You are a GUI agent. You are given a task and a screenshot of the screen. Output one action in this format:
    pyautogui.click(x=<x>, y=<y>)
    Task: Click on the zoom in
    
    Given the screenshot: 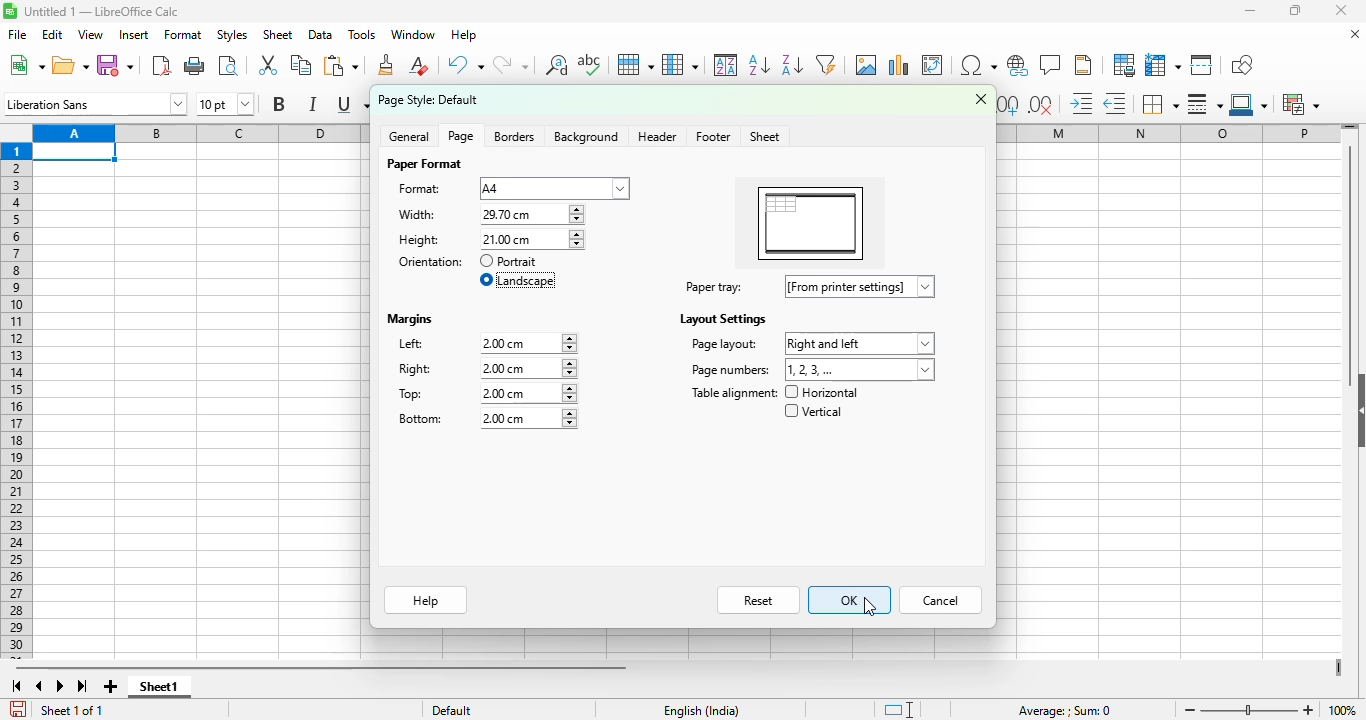 What is the action you would take?
    pyautogui.click(x=1309, y=710)
    